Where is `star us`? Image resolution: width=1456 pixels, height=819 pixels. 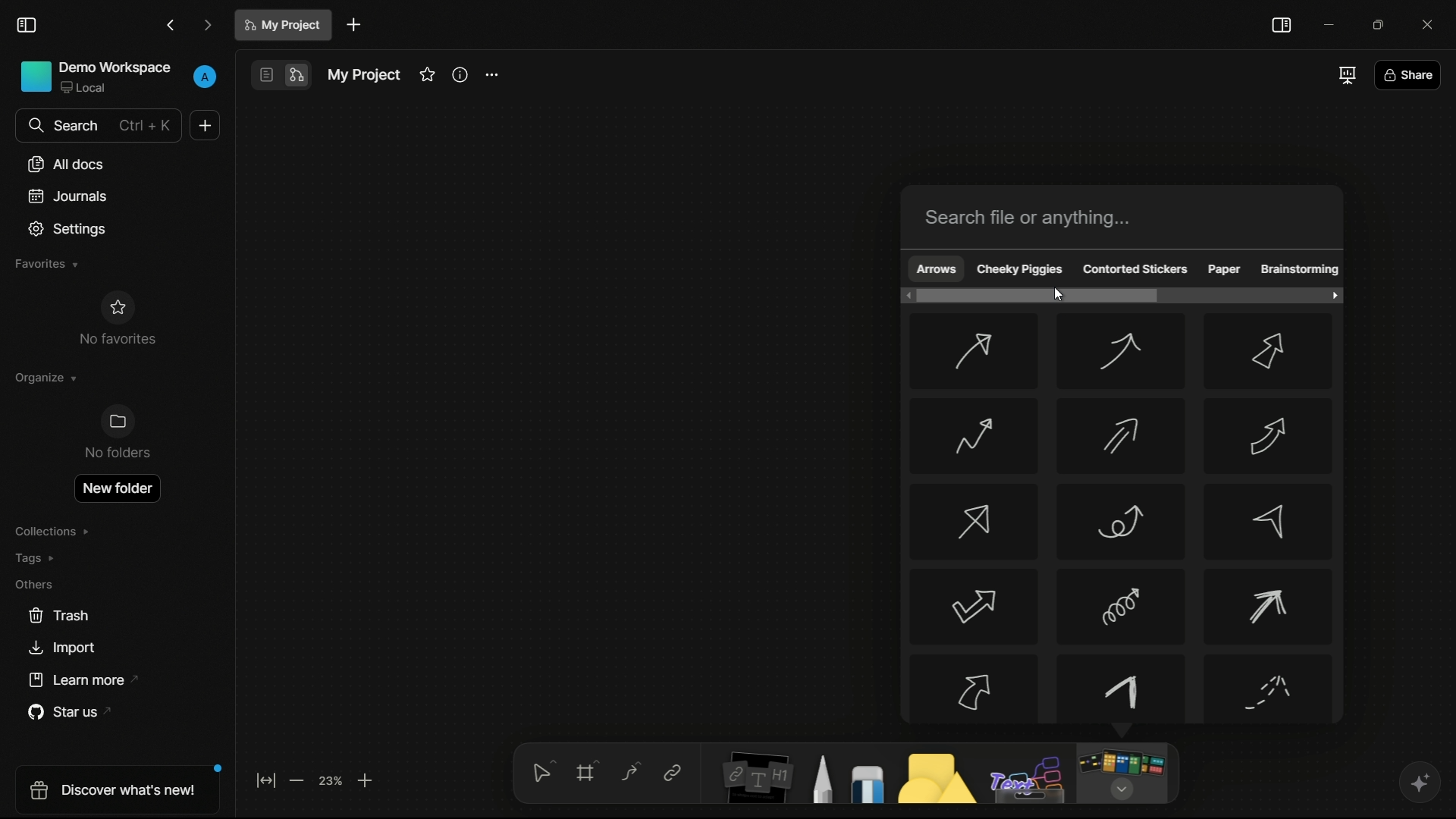 star us is located at coordinates (74, 713).